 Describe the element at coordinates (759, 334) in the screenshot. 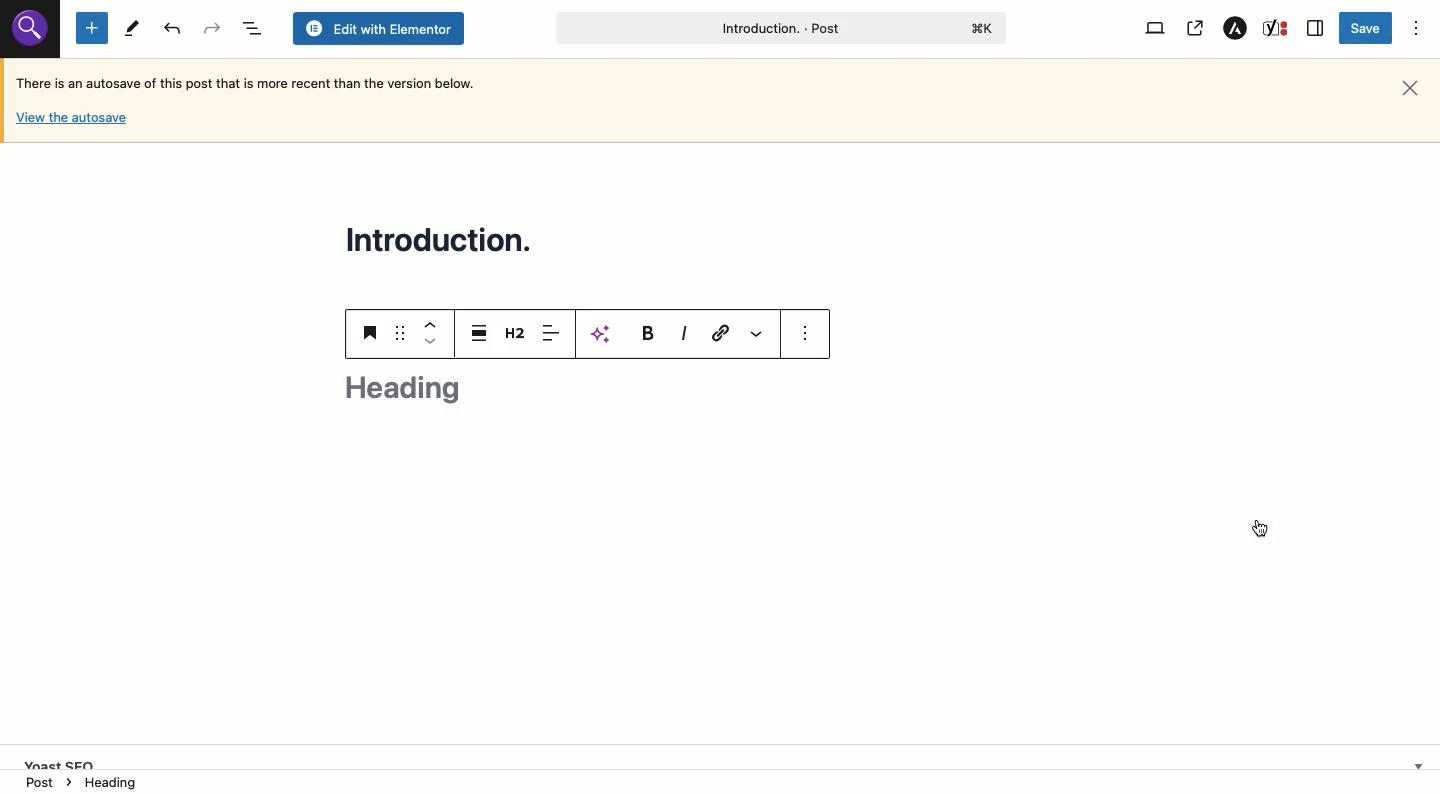

I see `More` at that location.